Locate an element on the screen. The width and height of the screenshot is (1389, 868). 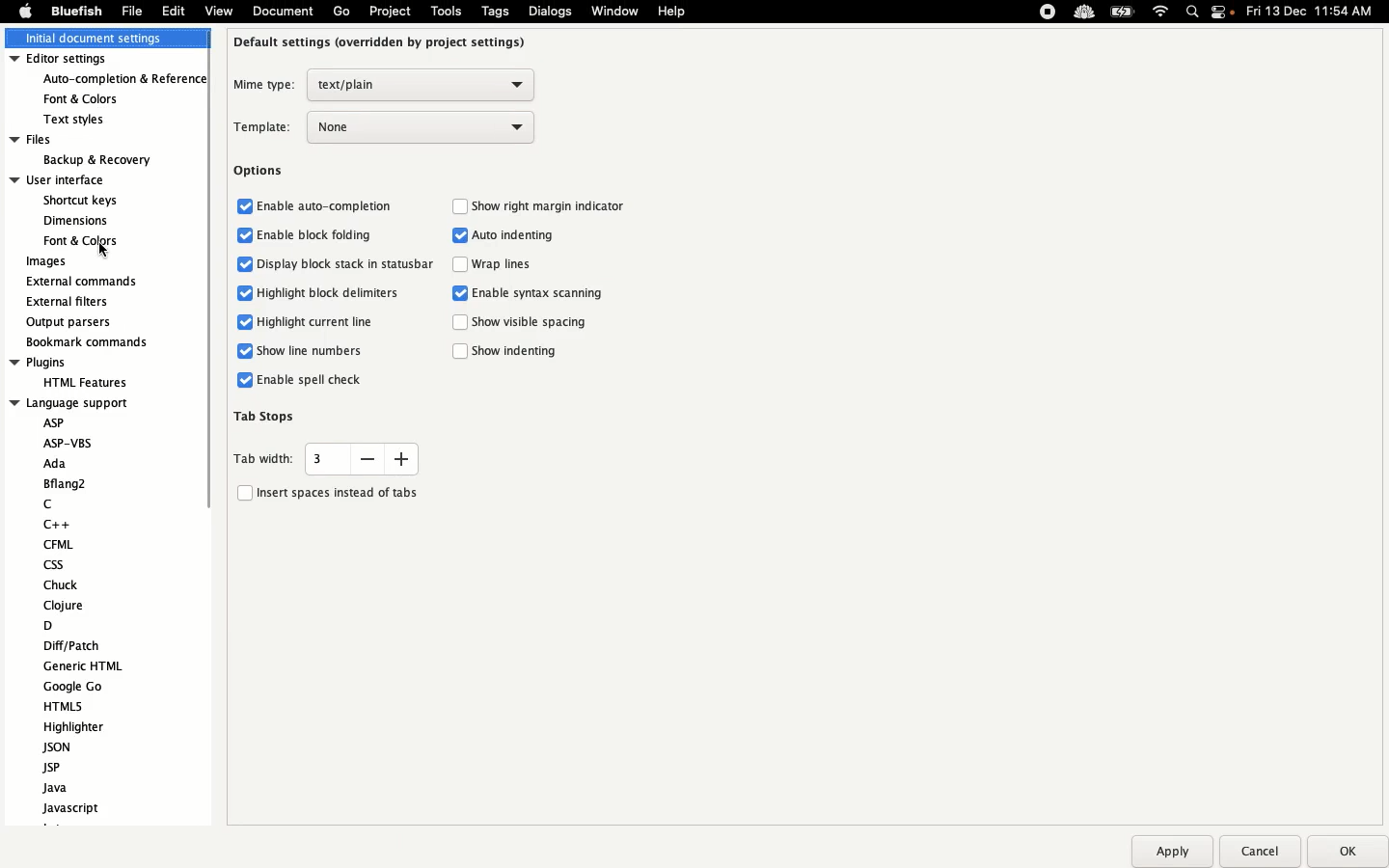
Apply is located at coordinates (1171, 852).